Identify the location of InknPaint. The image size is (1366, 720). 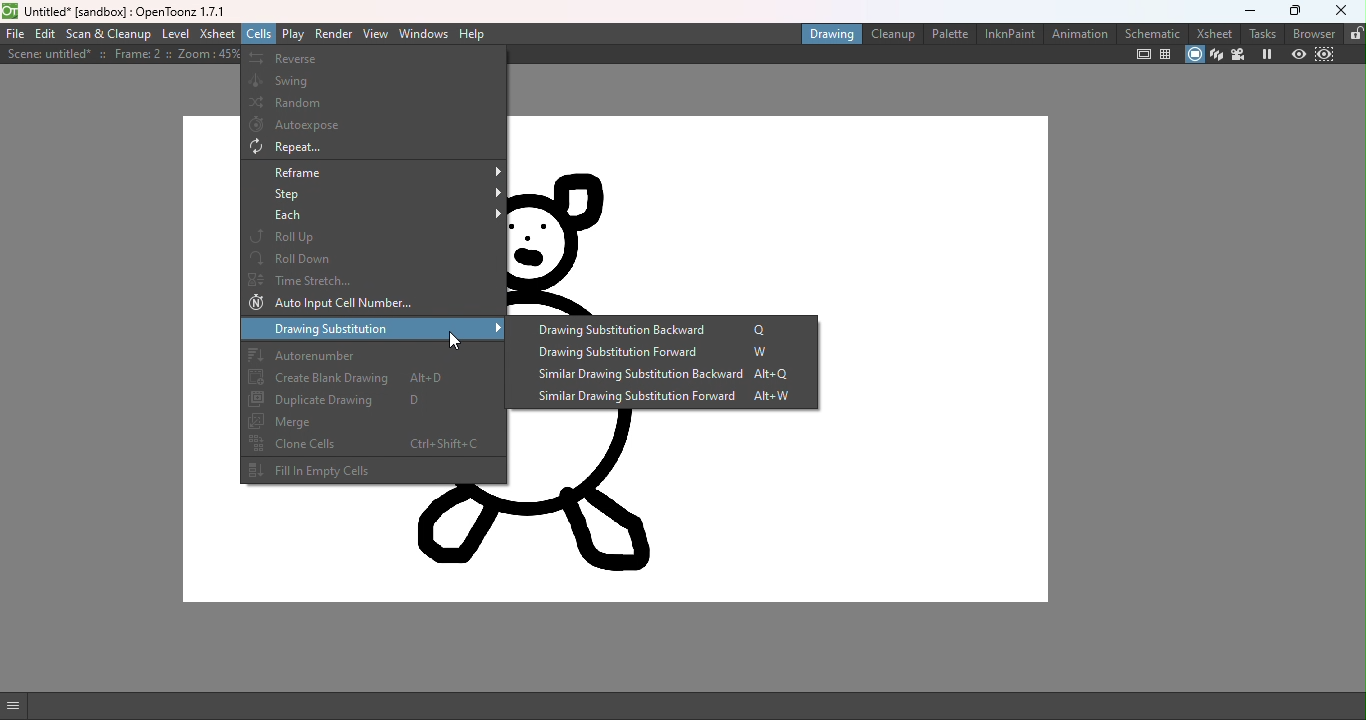
(1008, 34).